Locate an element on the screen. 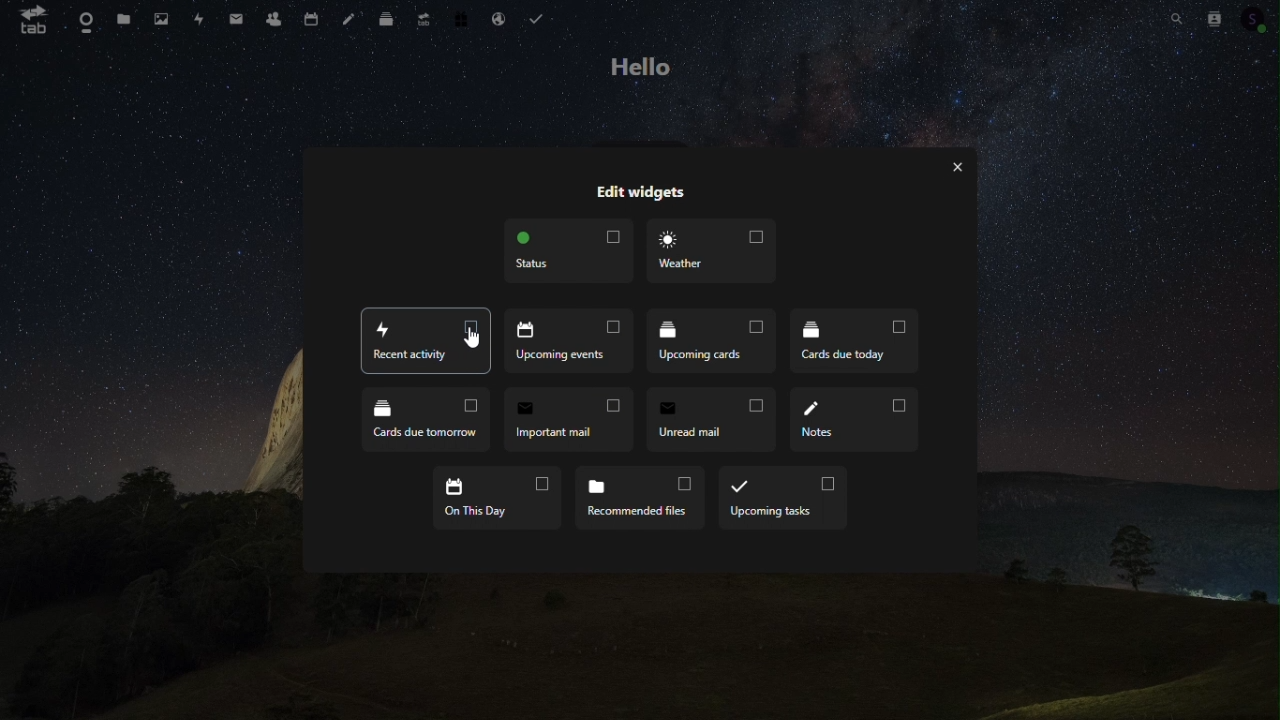 The height and width of the screenshot is (720, 1280). Email hosting is located at coordinates (497, 20).